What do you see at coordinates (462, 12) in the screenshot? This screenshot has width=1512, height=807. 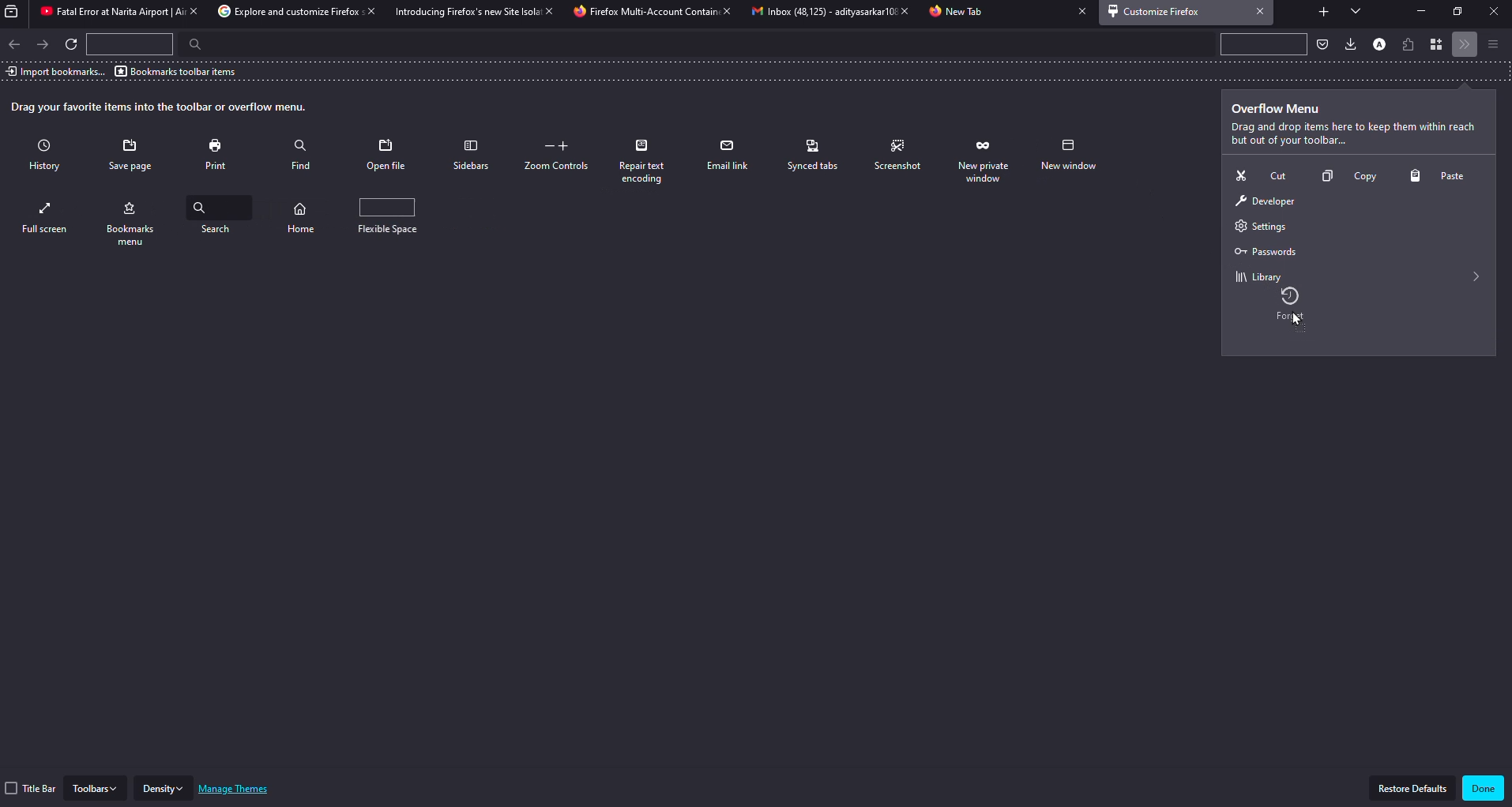 I see `tab` at bounding box center [462, 12].